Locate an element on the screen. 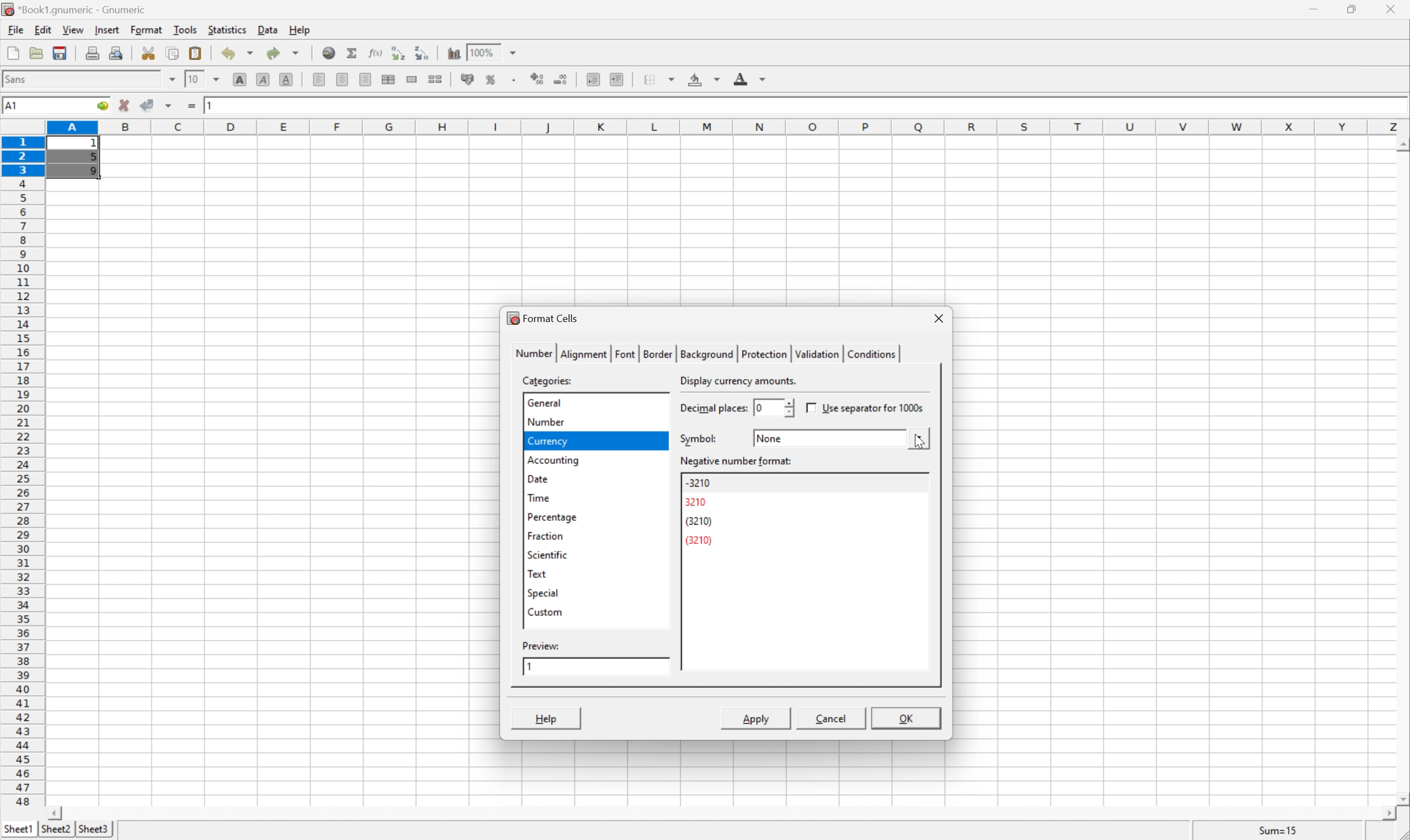 This screenshot has height=840, width=1410. Sort the selected region in descending order based on the first column selected is located at coordinates (422, 52).